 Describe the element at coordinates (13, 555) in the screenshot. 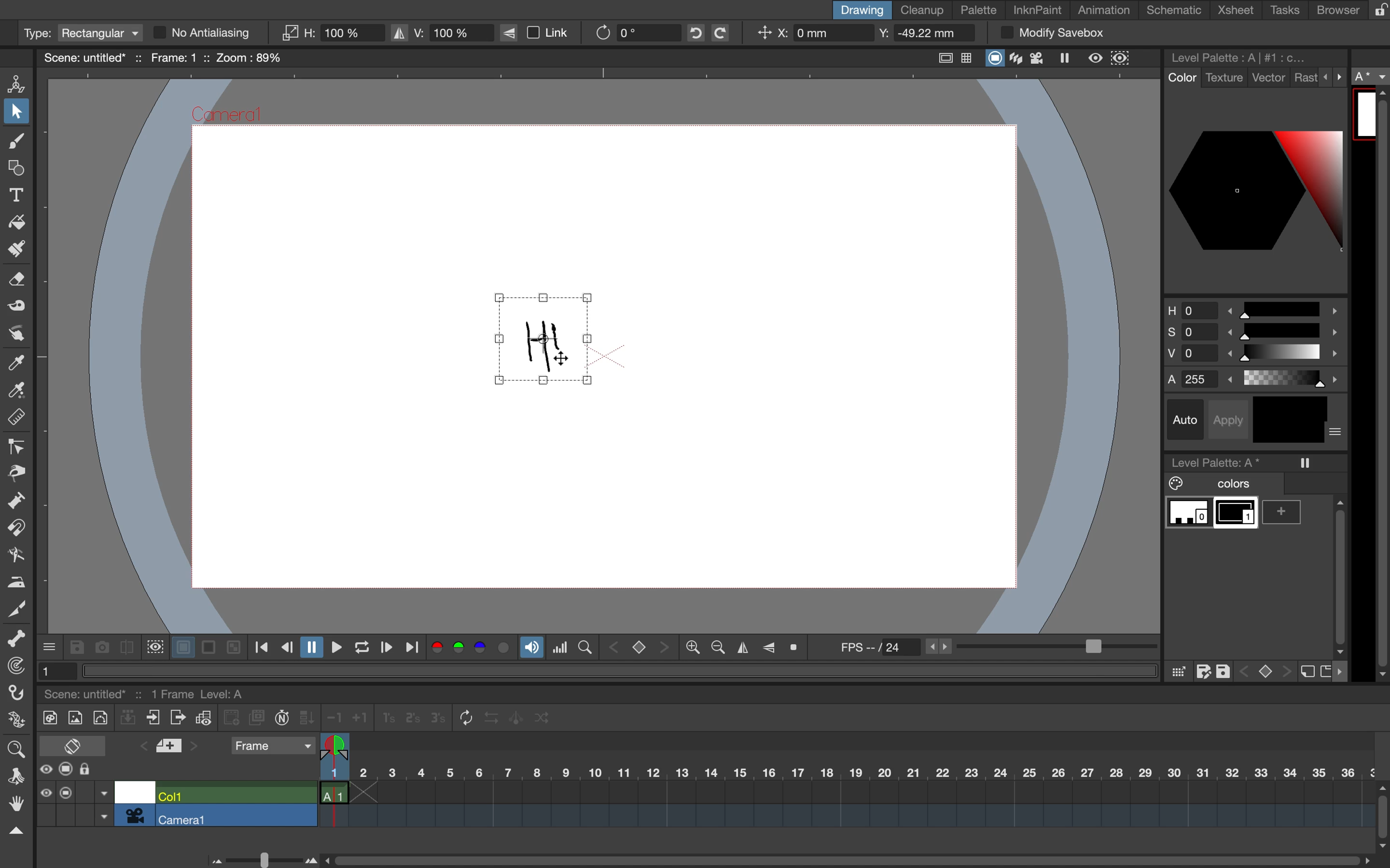

I see `bender tool` at that location.